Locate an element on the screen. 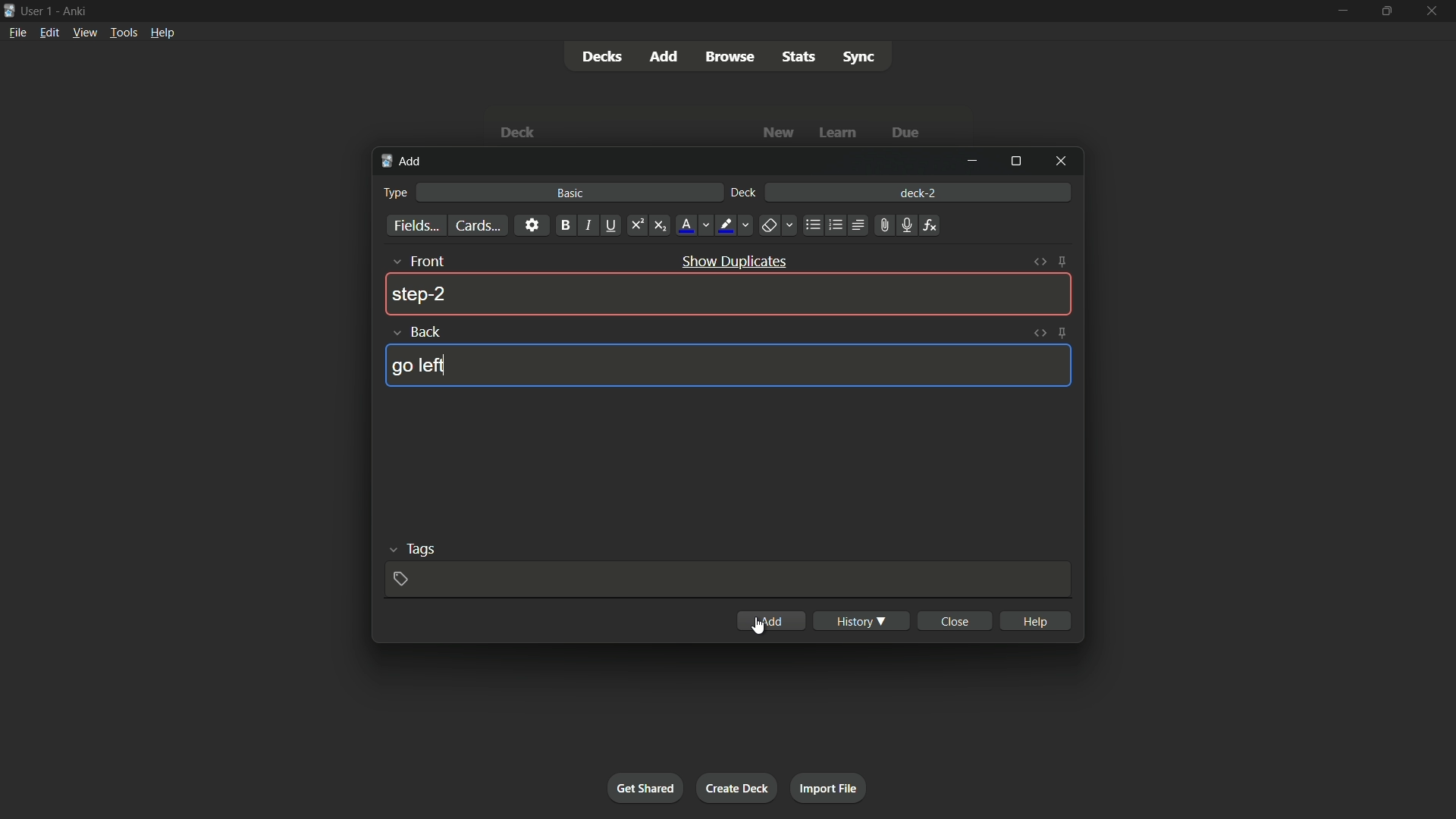 The height and width of the screenshot is (819, 1456). superscript is located at coordinates (637, 226).